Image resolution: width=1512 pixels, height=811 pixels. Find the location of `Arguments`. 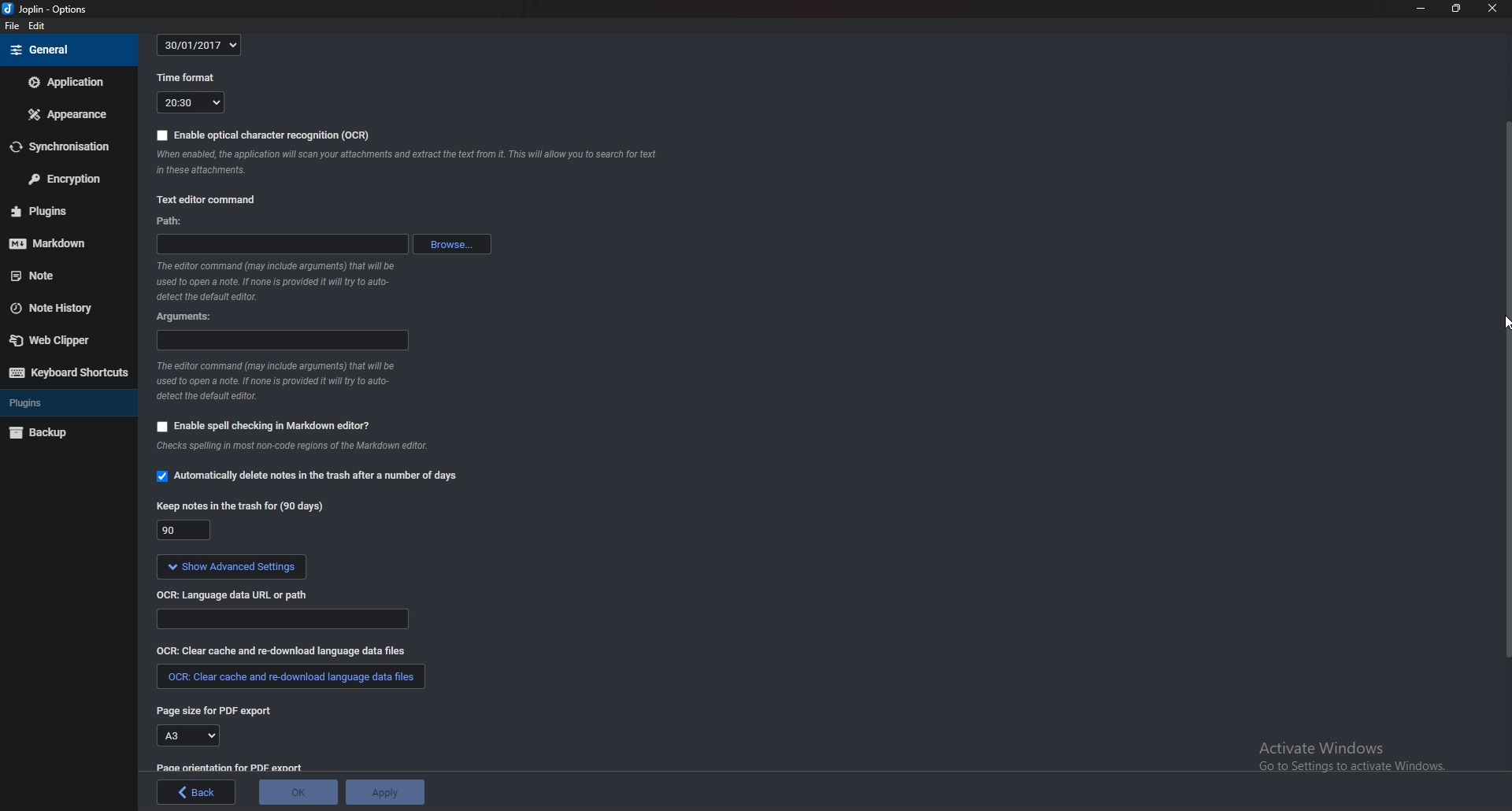

Arguments is located at coordinates (283, 341).